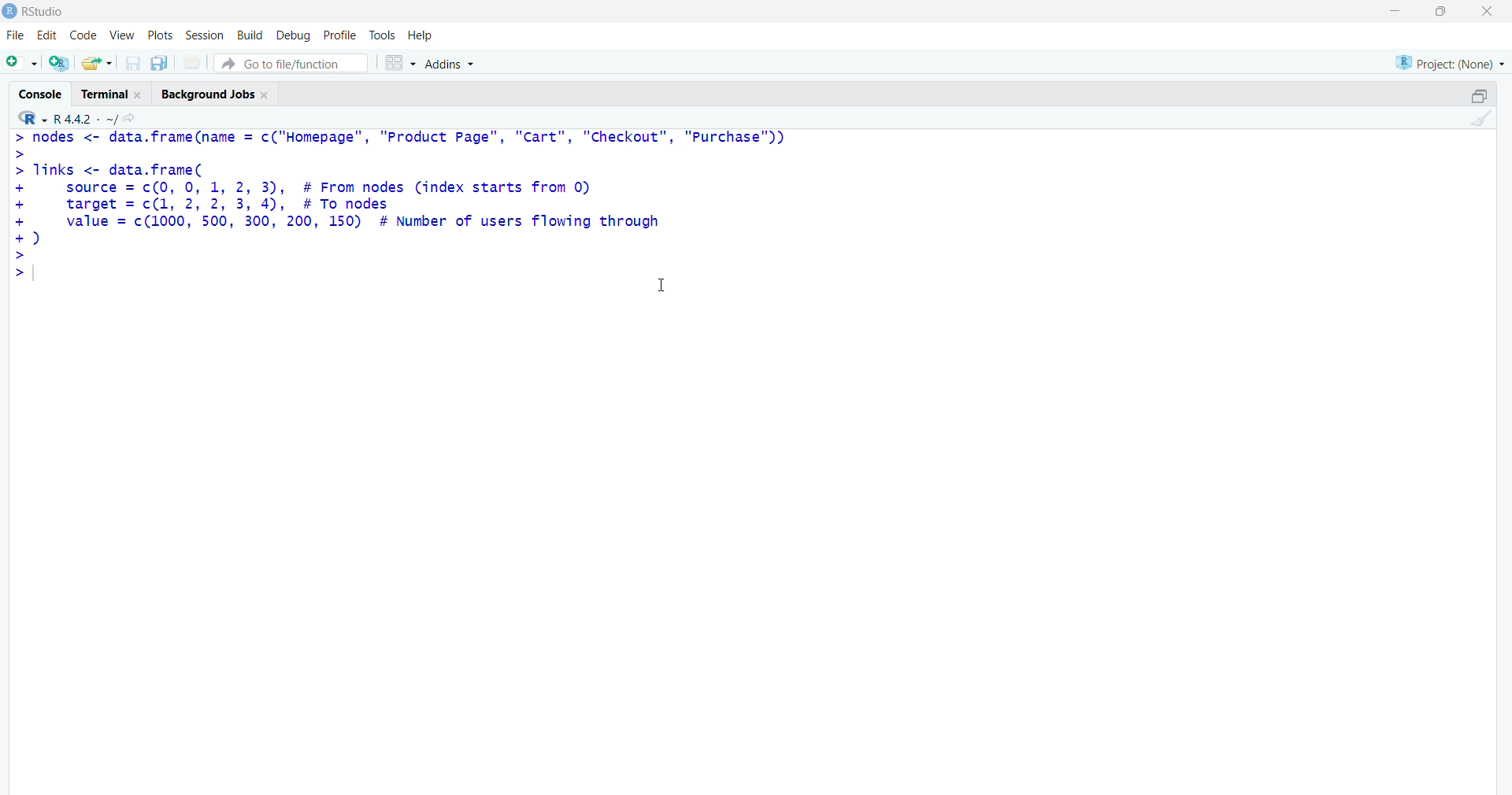 The image size is (1512, 795). Describe the element at coordinates (247, 35) in the screenshot. I see `build` at that location.